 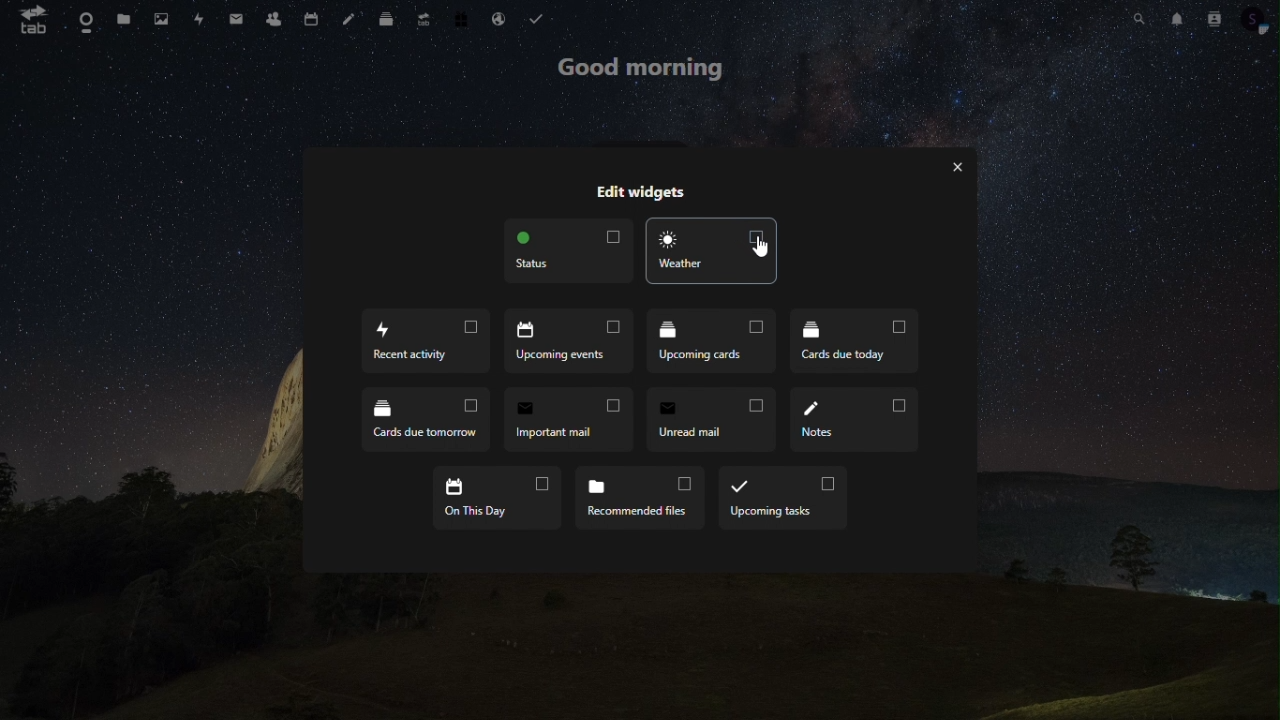 What do you see at coordinates (716, 339) in the screenshot?
I see `upcoming cards` at bounding box center [716, 339].